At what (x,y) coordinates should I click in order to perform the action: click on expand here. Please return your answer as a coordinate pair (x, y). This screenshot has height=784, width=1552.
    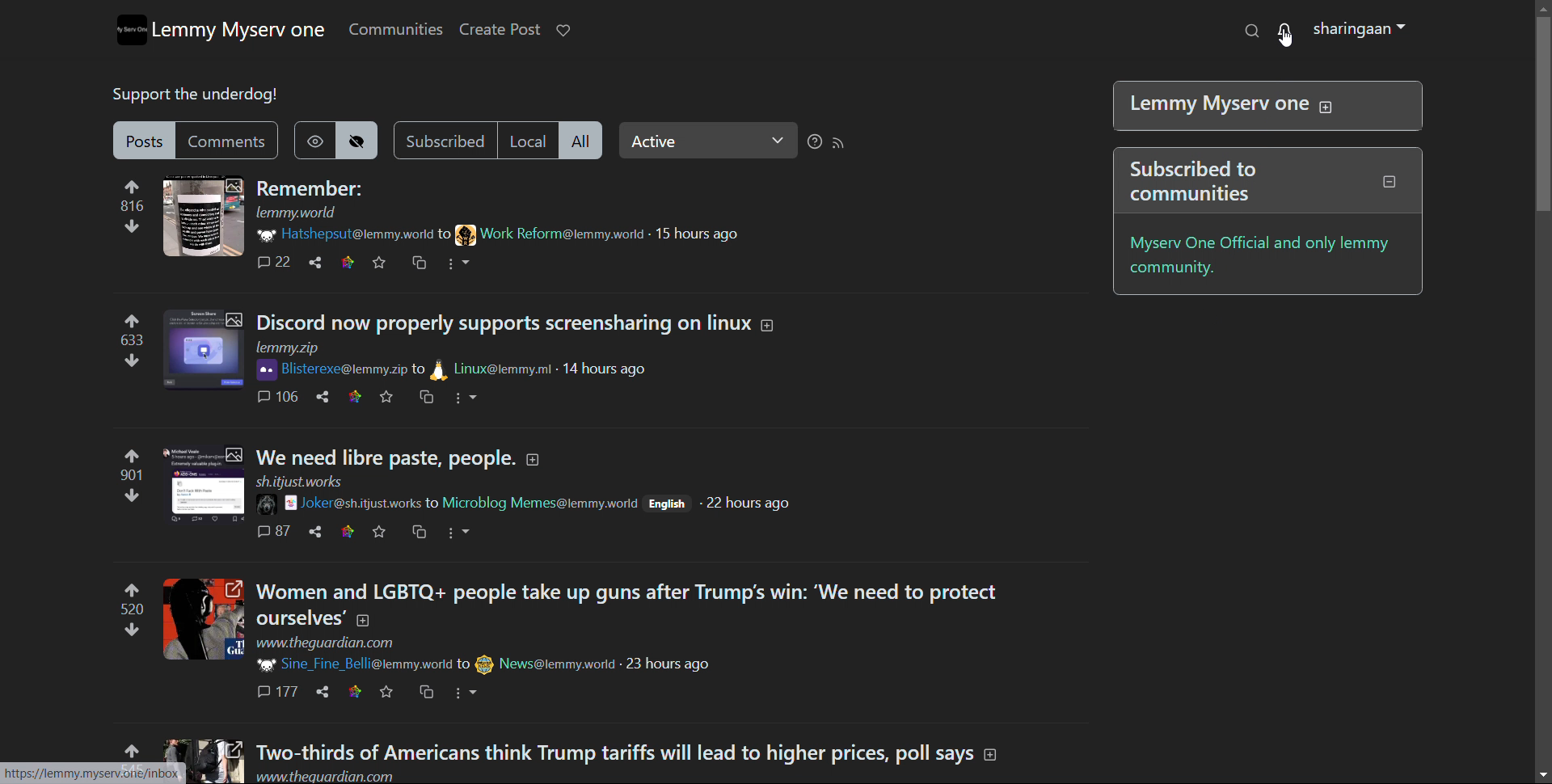
    Looking at the image, I should click on (203, 217).